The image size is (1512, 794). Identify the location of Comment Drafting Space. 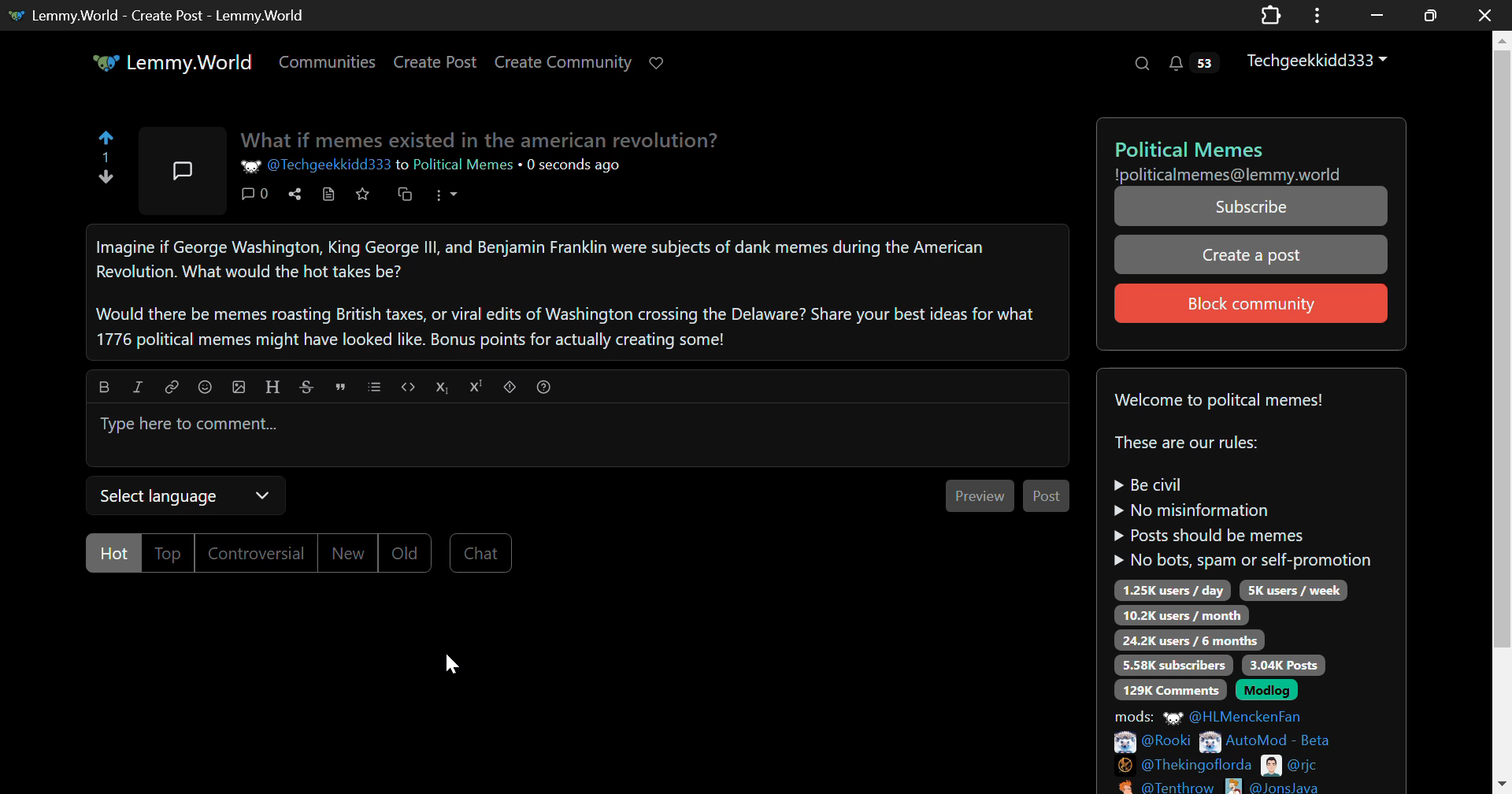
(580, 435).